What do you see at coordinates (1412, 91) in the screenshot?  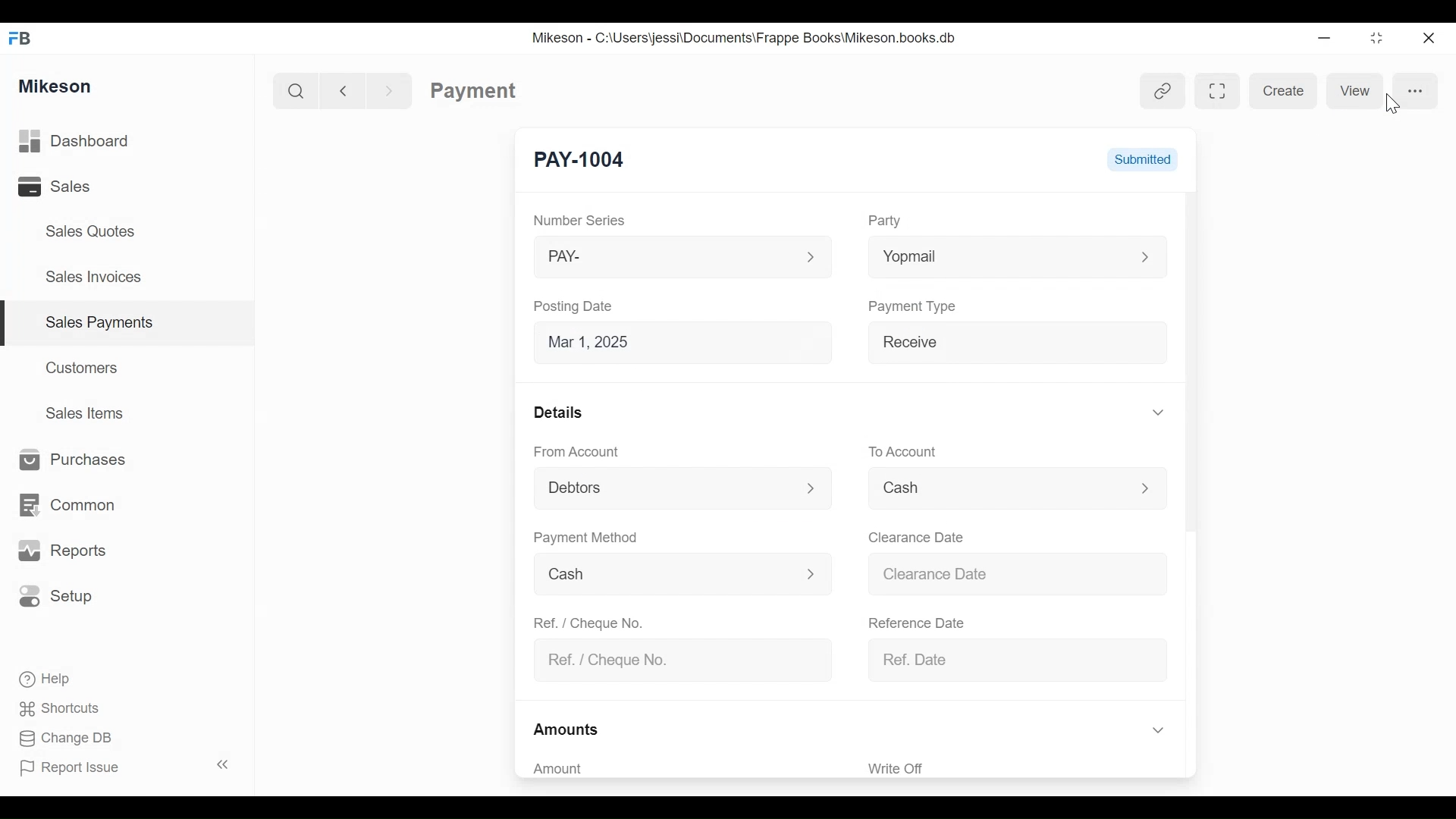 I see `More options` at bounding box center [1412, 91].